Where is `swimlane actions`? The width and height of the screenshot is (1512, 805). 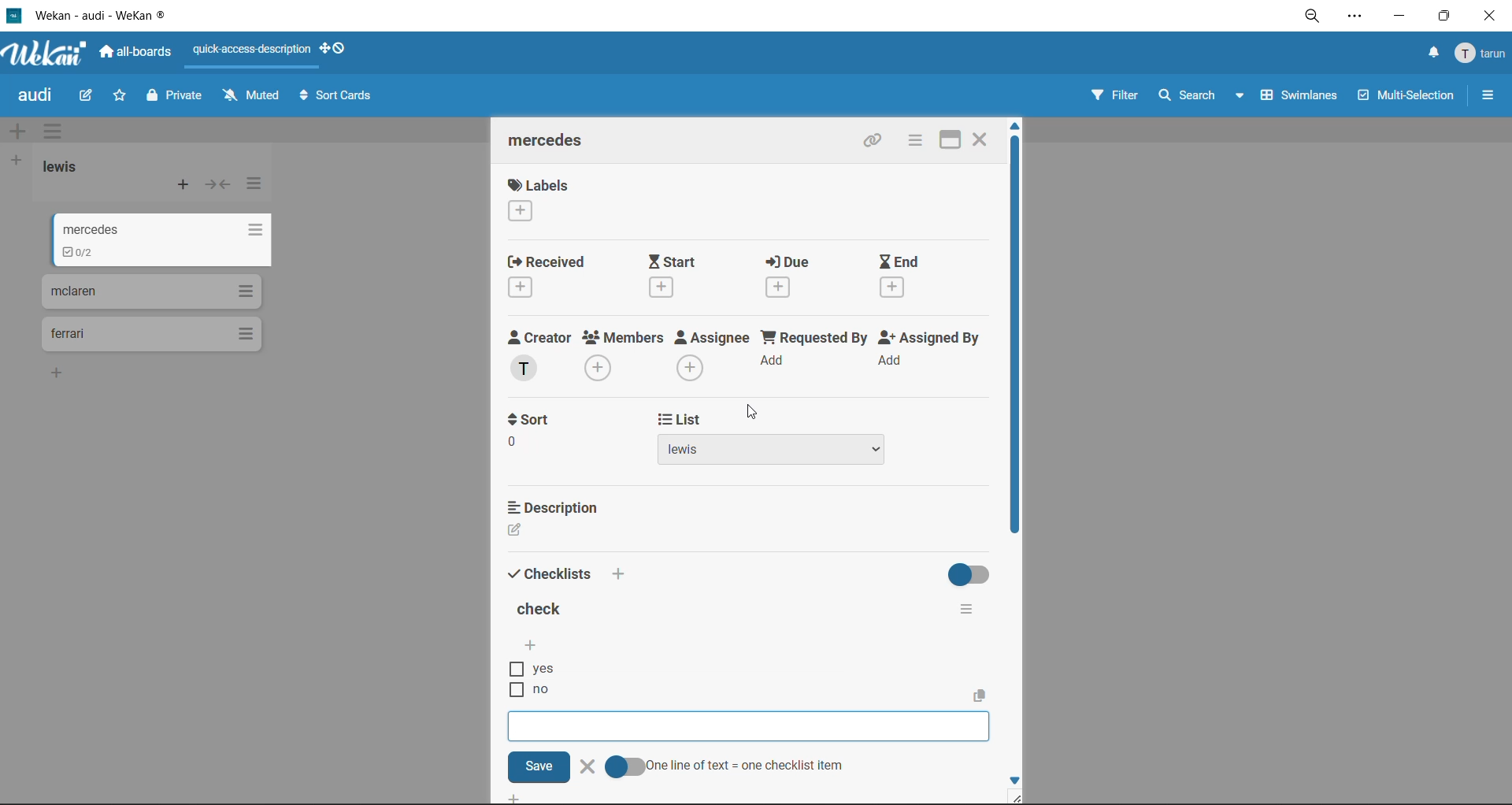 swimlane actions is located at coordinates (57, 133).